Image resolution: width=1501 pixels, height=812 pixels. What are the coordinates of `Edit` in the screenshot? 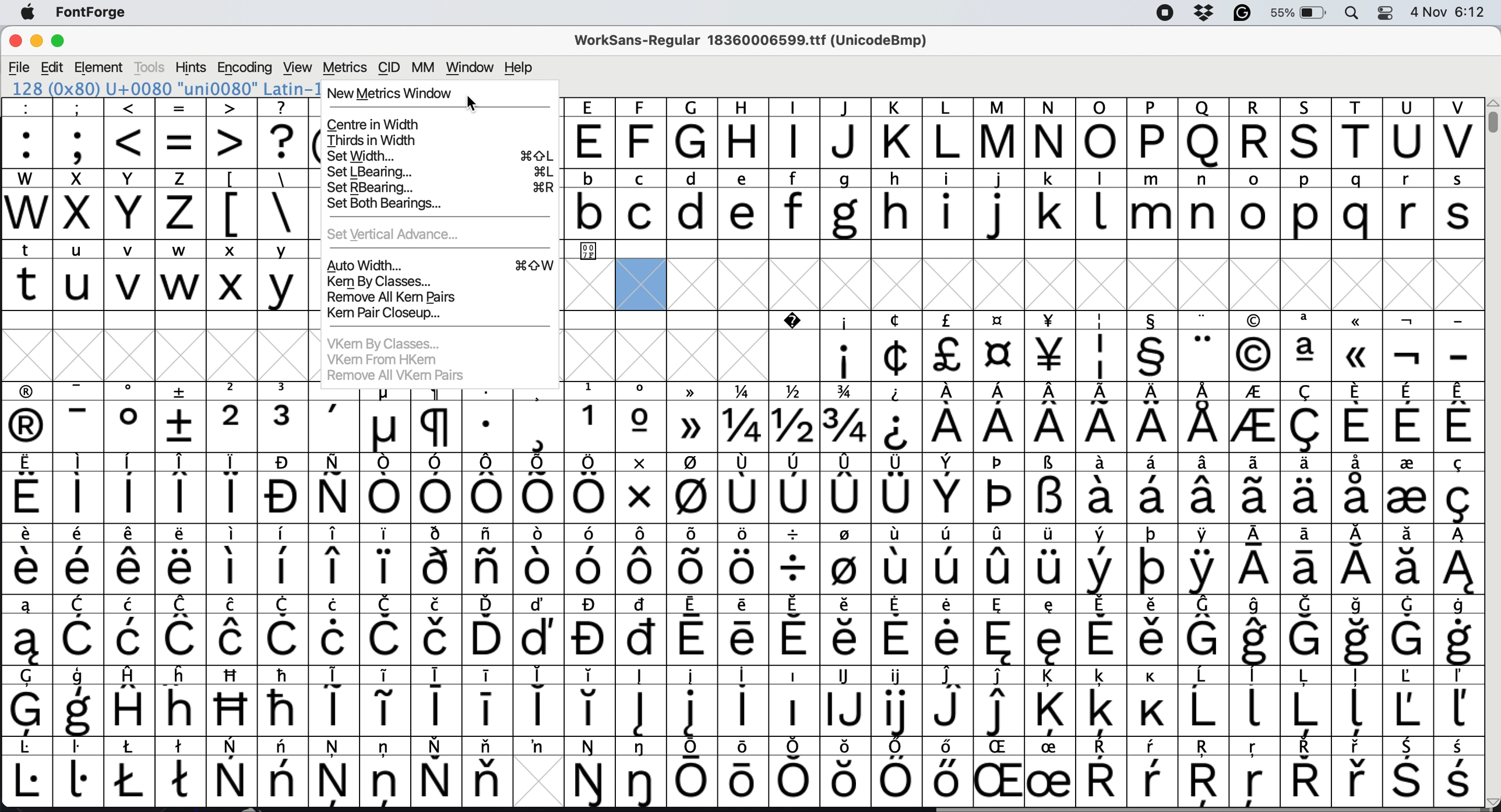 It's located at (55, 68).